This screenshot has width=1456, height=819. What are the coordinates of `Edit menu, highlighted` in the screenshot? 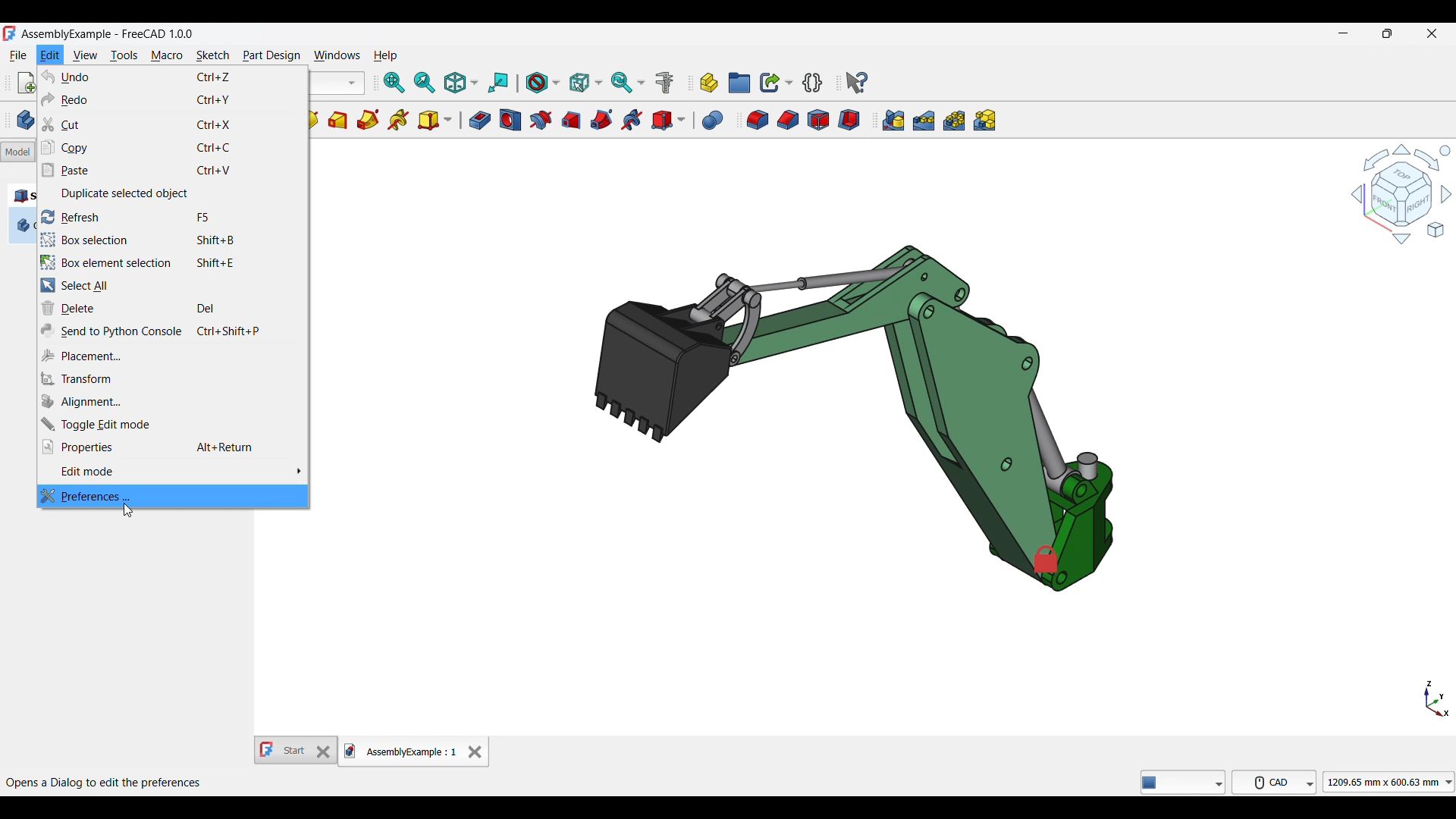 It's located at (51, 55).